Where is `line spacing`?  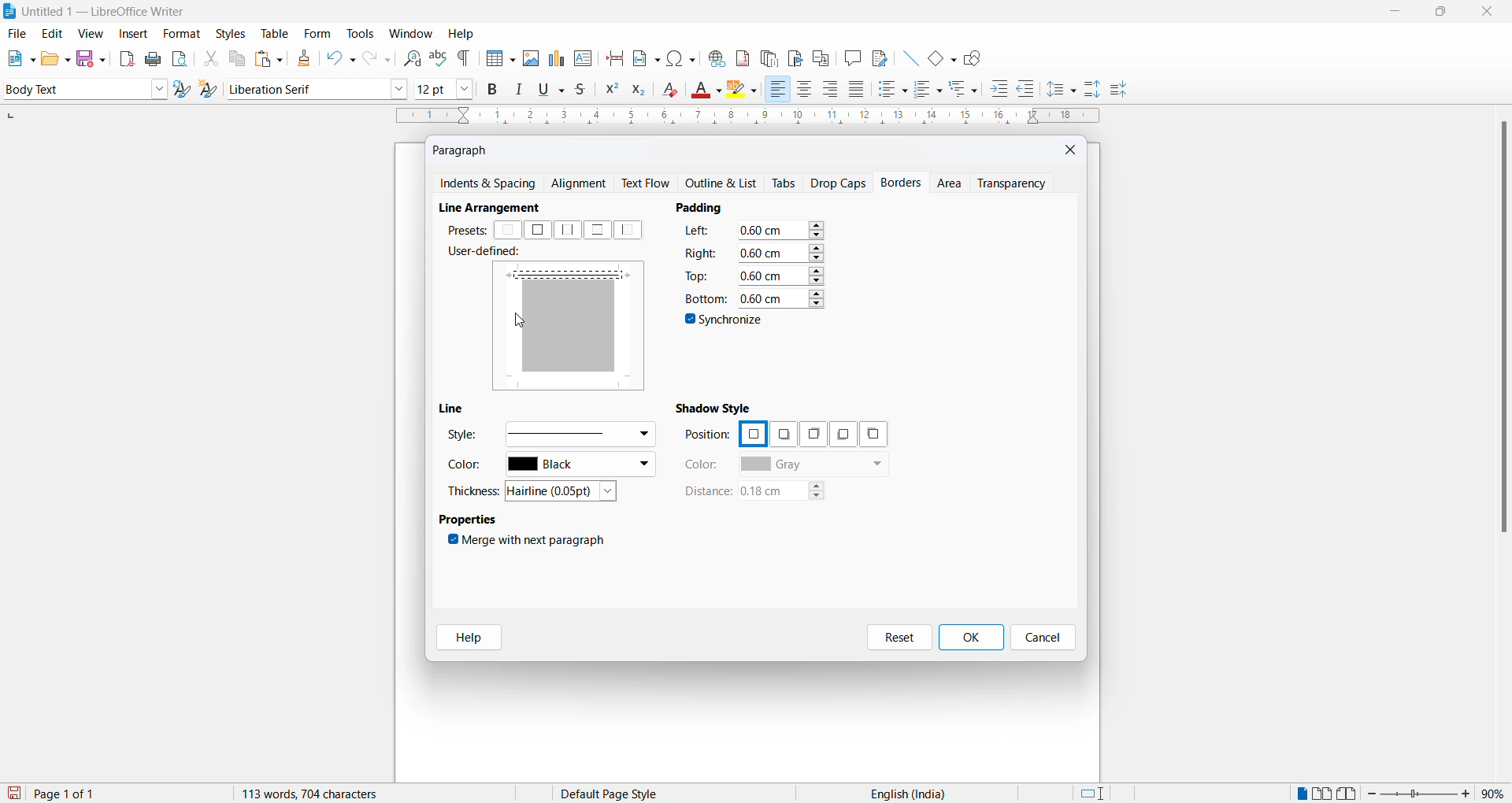
line spacing is located at coordinates (1064, 90).